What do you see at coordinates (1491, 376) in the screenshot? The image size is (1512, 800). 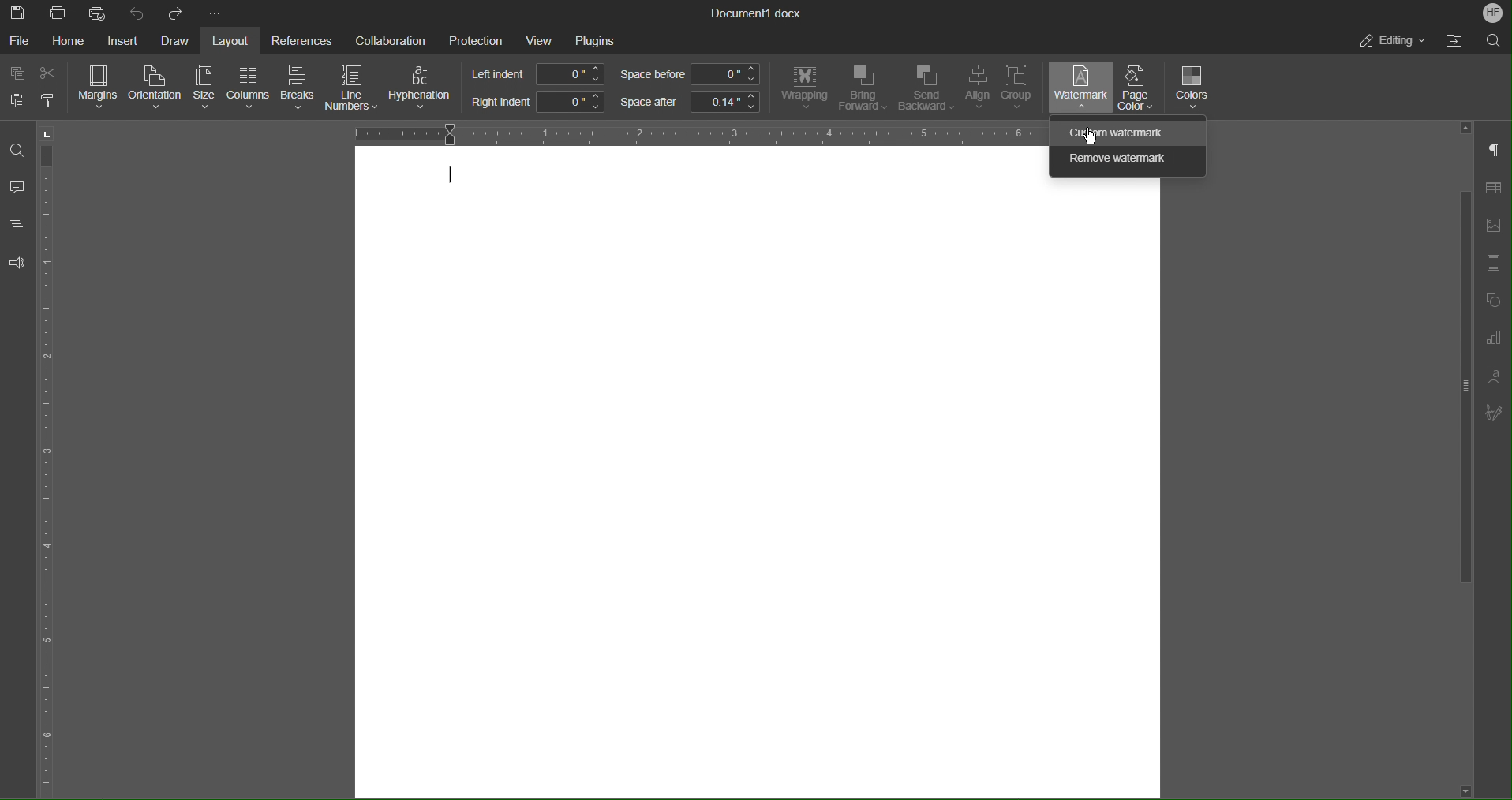 I see `Text Art` at bounding box center [1491, 376].